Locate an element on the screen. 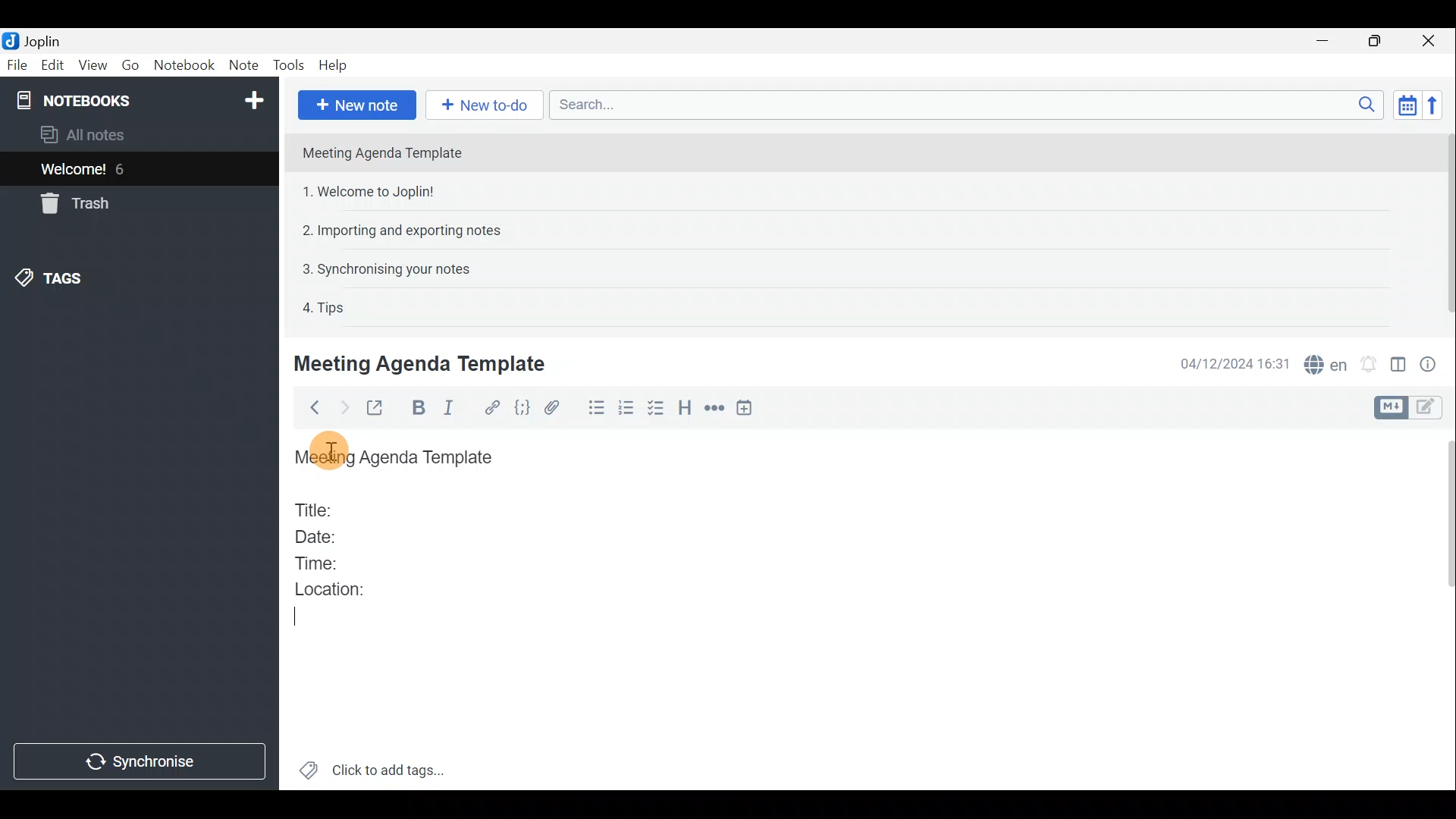 The height and width of the screenshot is (819, 1456). 1. Welcome to Joplin! is located at coordinates (373, 191).